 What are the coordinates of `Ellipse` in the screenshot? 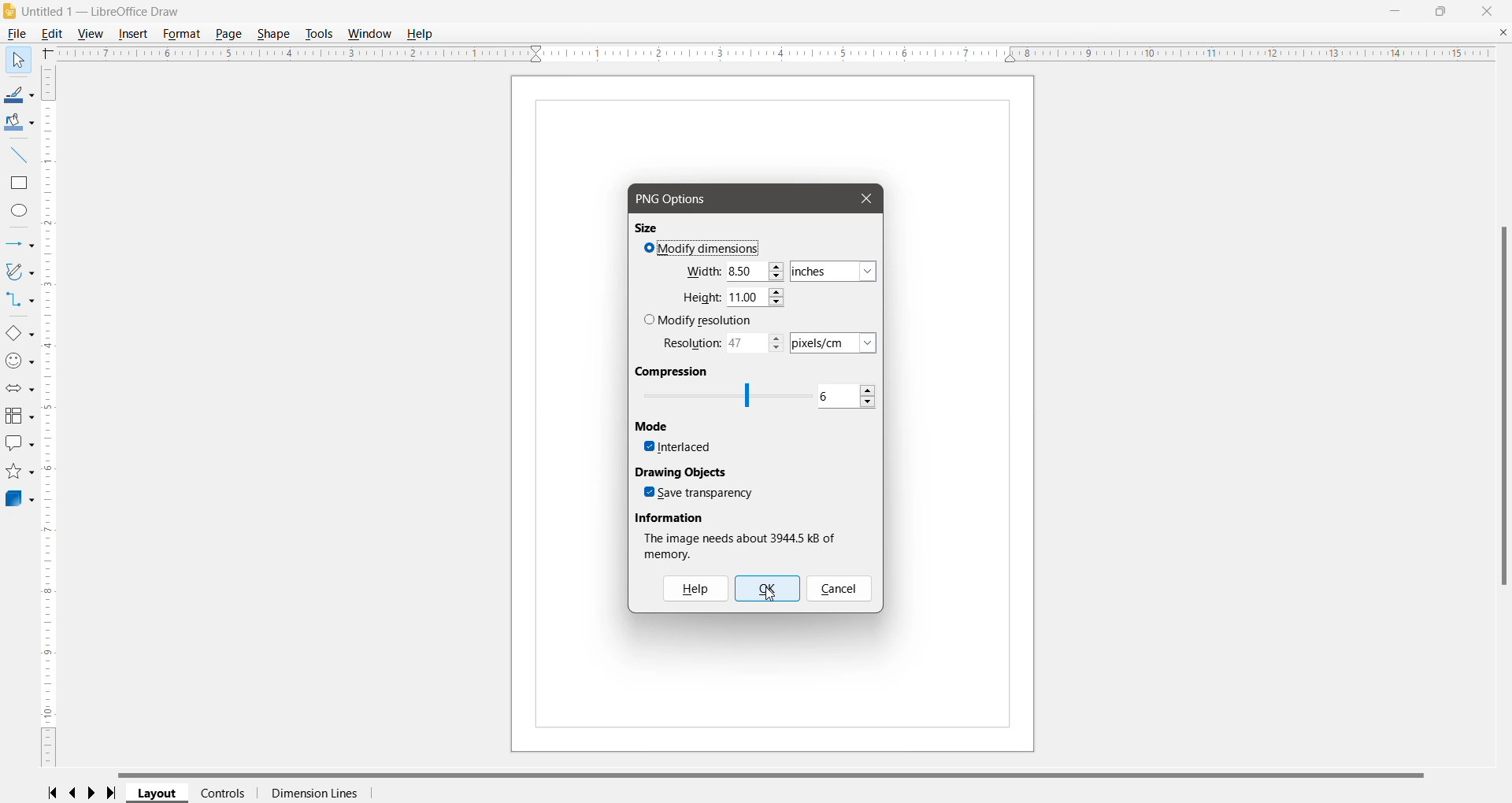 It's located at (20, 210).